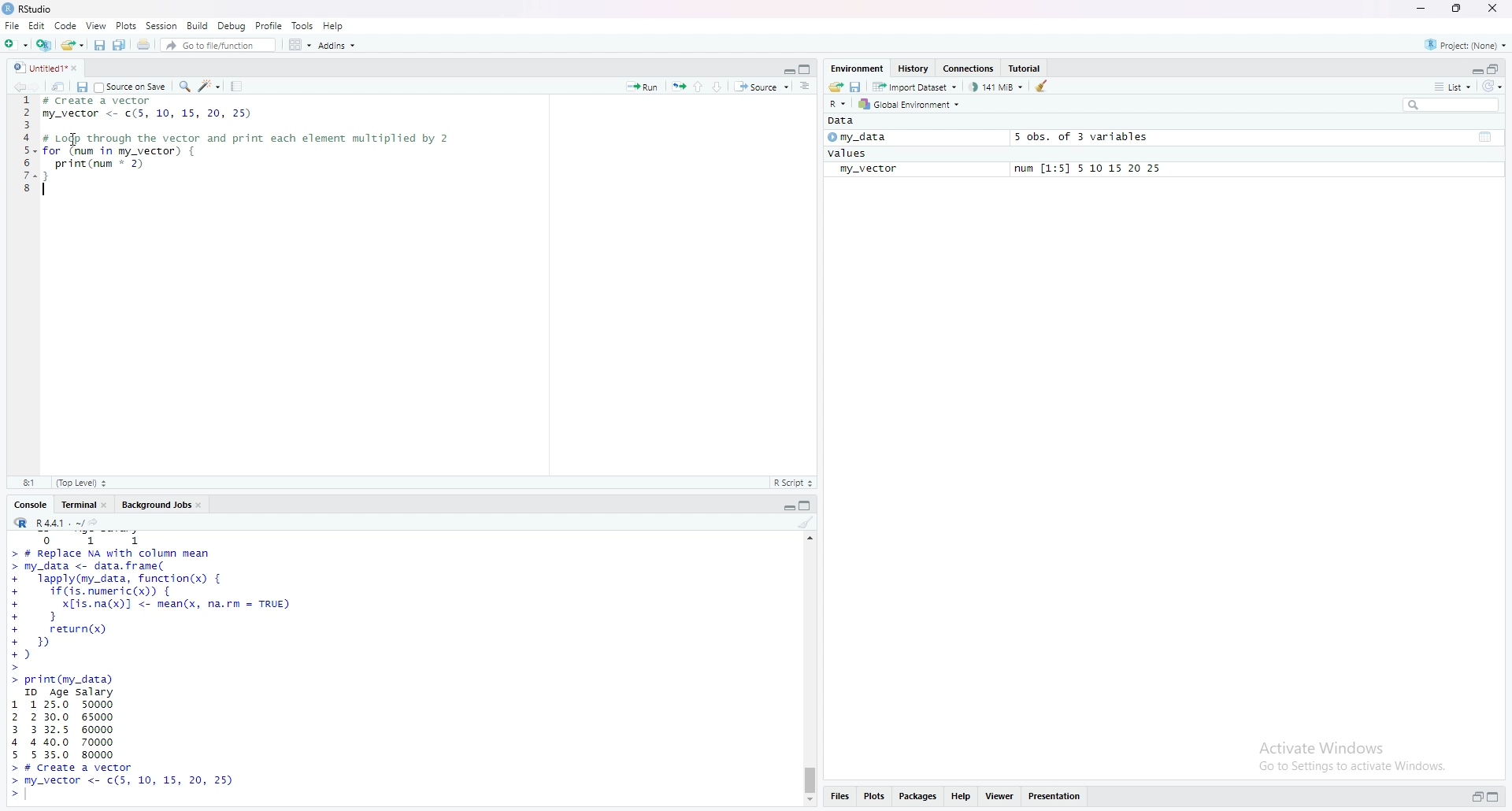 The width and height of the screenshot is (1512, 811). I want to click on Connections, so click(972, 68).